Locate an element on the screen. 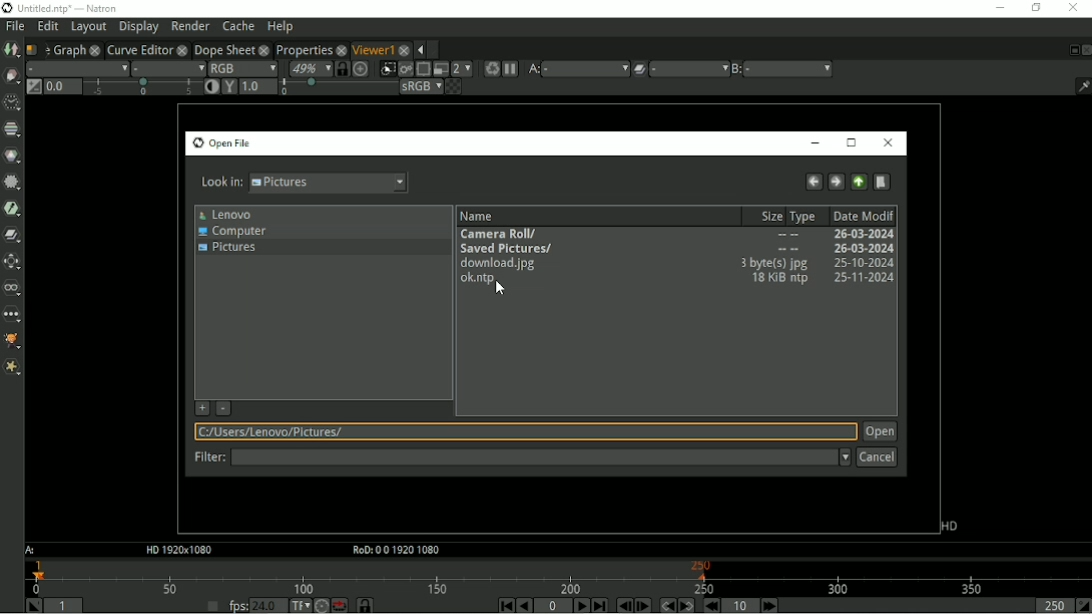  Minimize is located at coordinates (815, 143).